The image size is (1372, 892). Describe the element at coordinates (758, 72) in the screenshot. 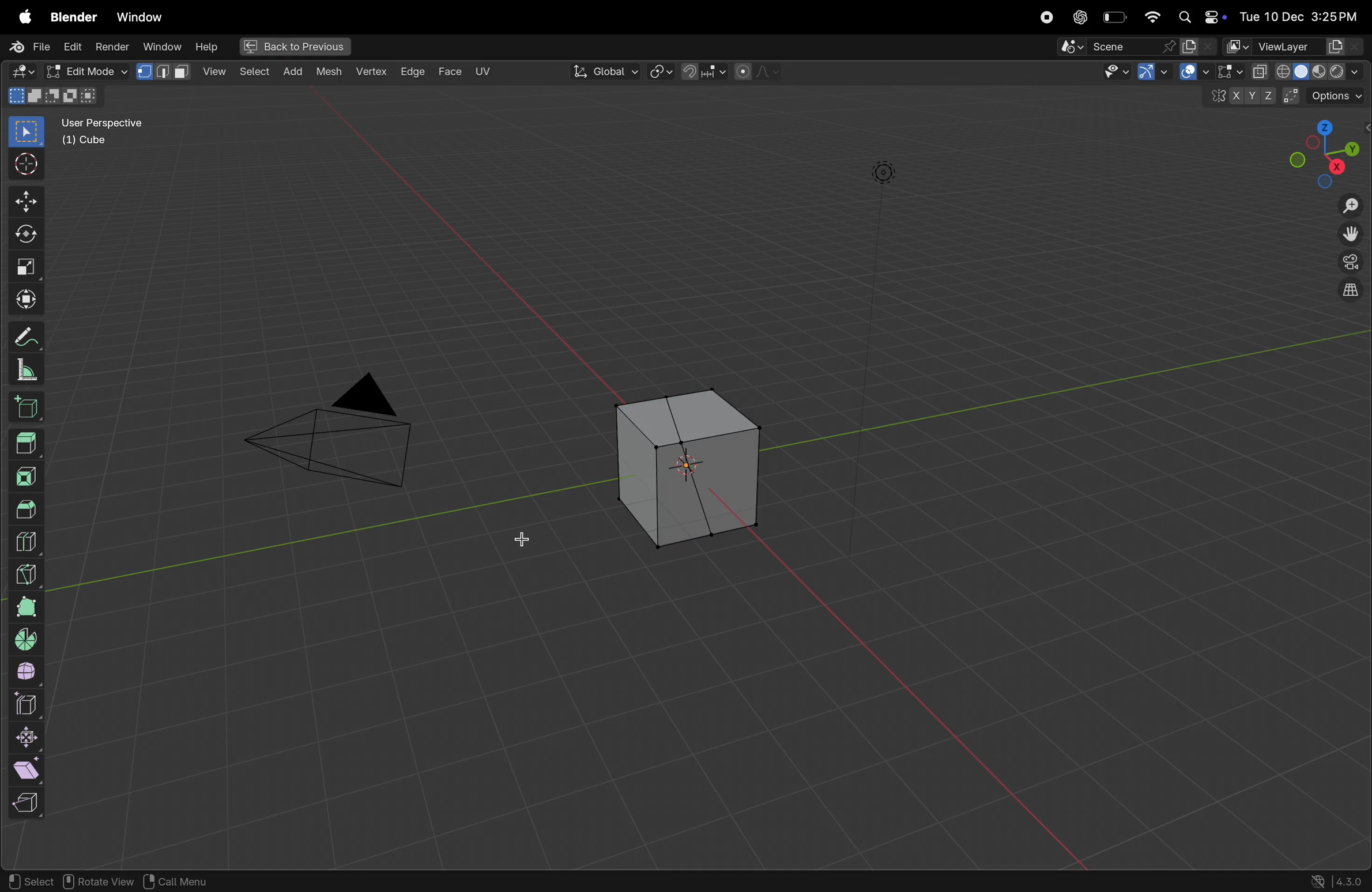

I see `proportional objects` at that location.